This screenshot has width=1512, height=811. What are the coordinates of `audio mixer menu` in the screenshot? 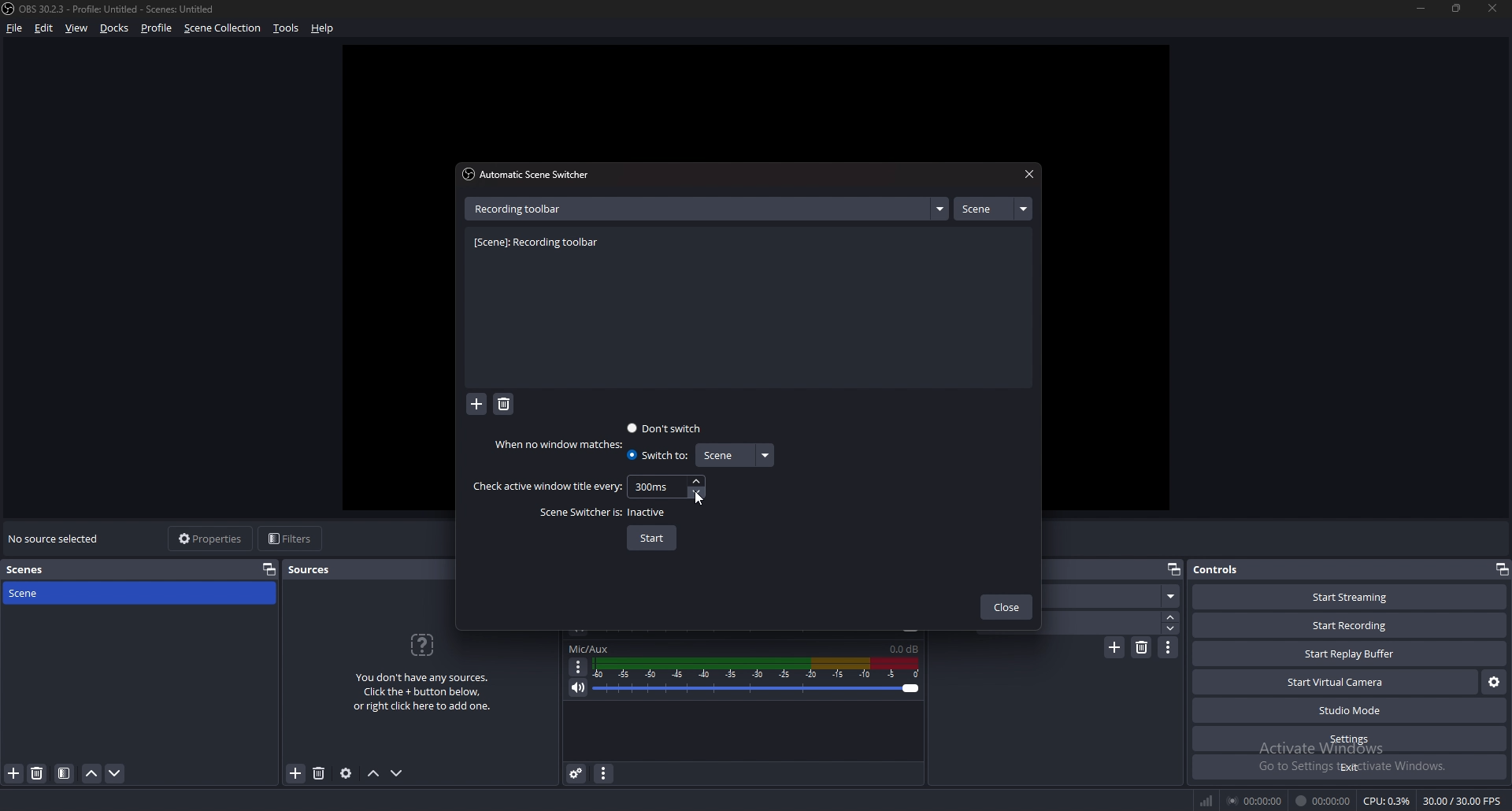 It's located at (603, 772).